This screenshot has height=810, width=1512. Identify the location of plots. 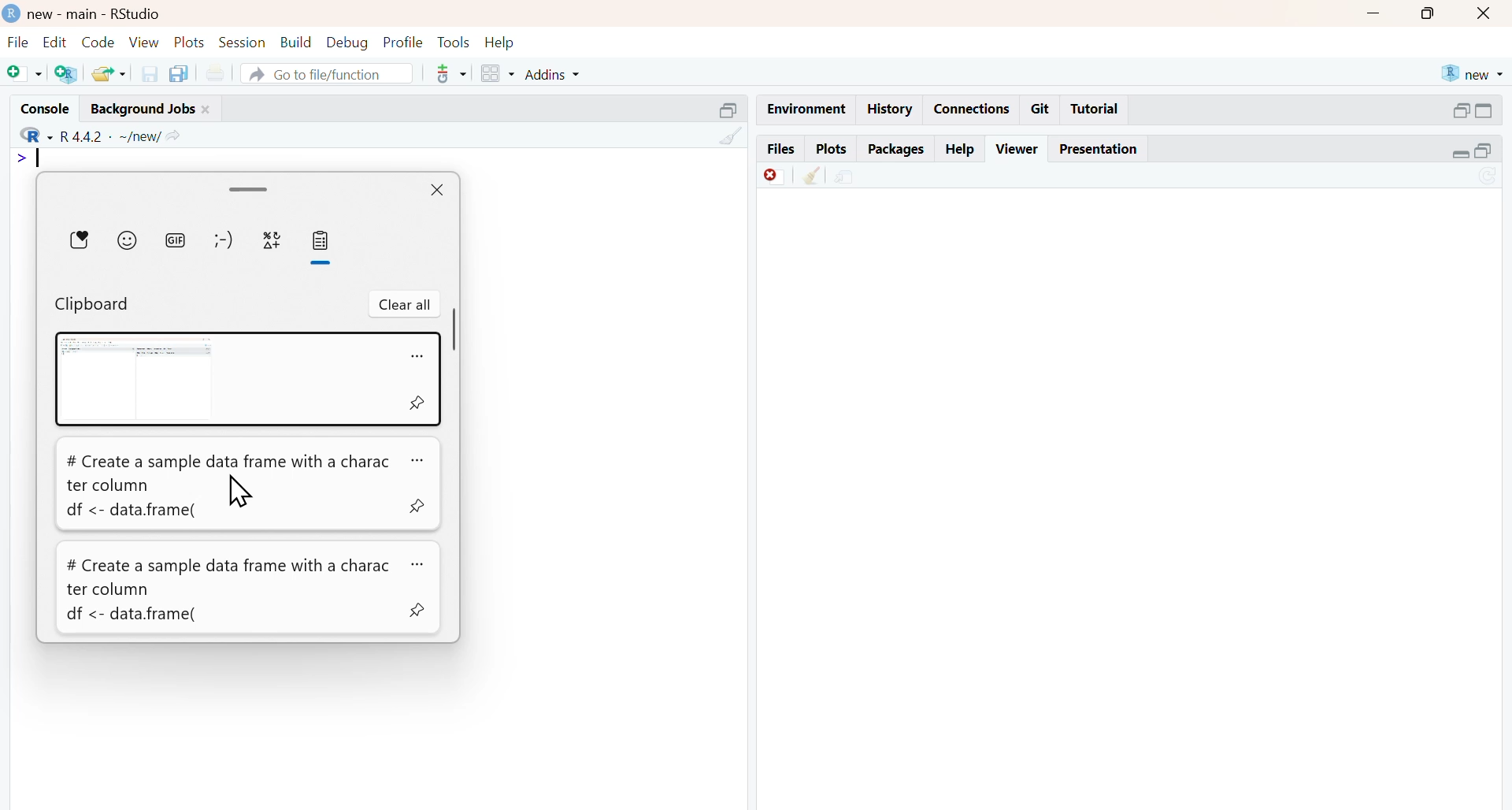
(189, 43).